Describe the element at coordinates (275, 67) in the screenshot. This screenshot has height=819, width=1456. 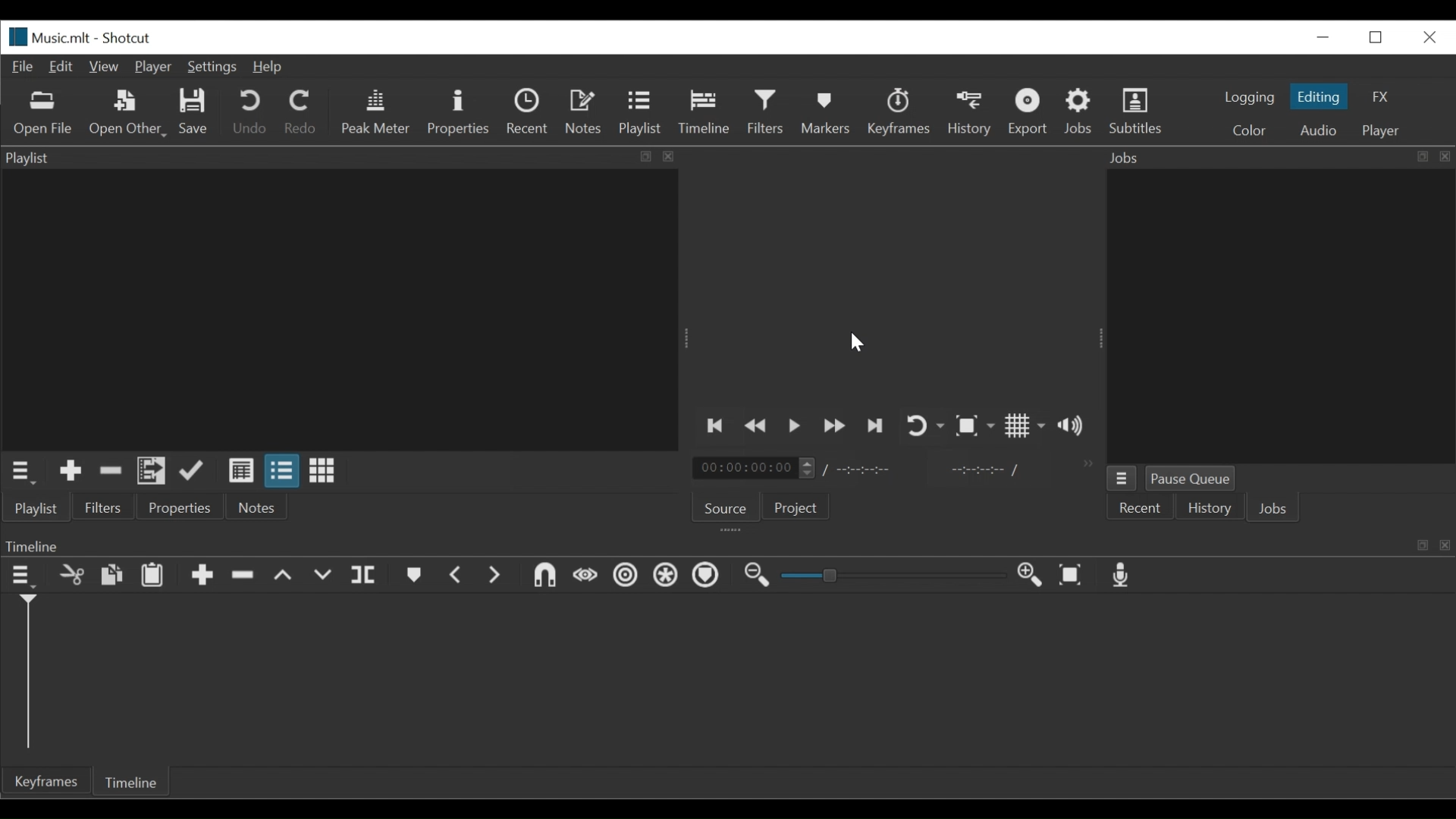
I see `Help` at that location.